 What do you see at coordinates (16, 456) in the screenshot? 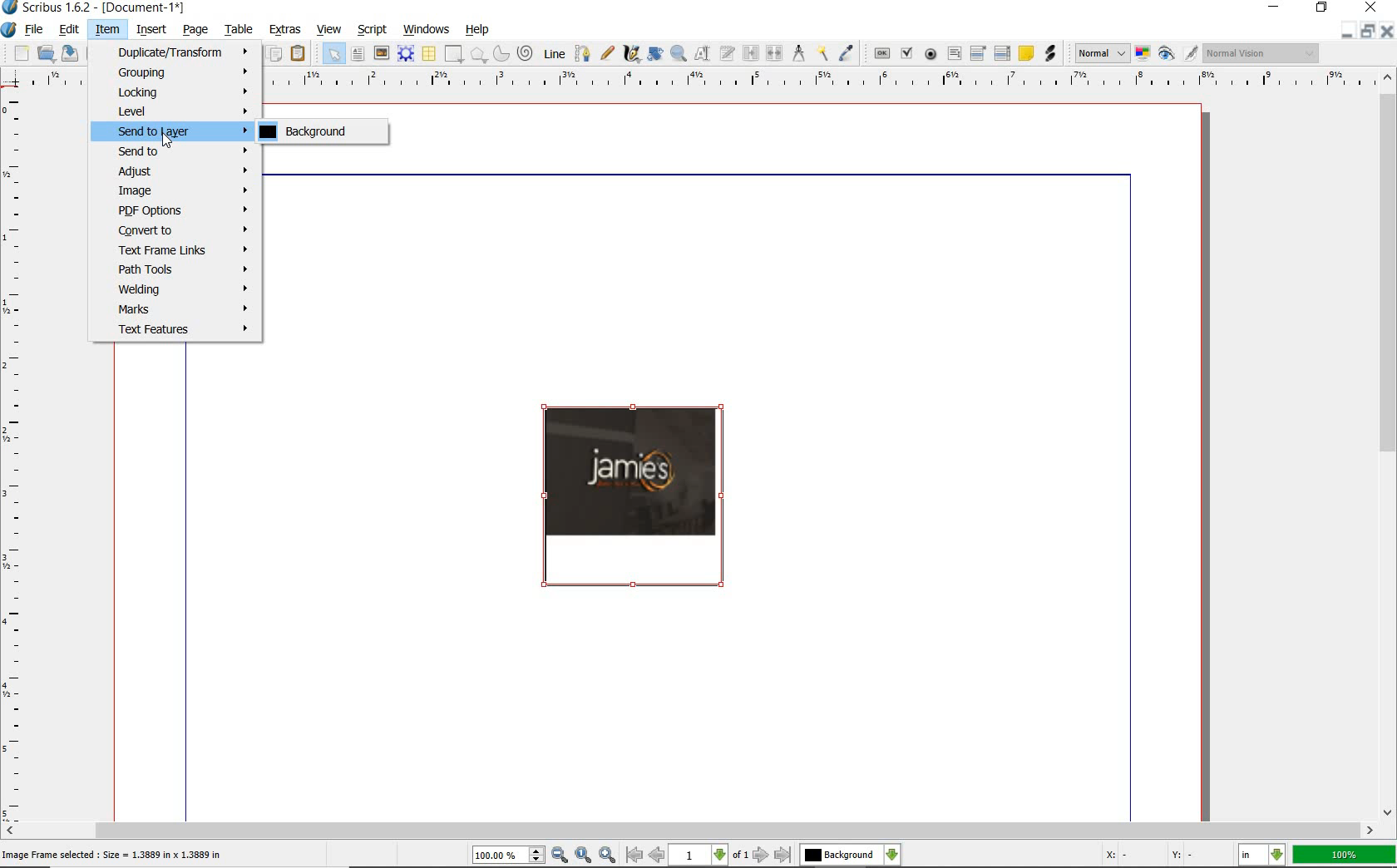
I see `Vertical Margin` at bounding box center [16, 456].